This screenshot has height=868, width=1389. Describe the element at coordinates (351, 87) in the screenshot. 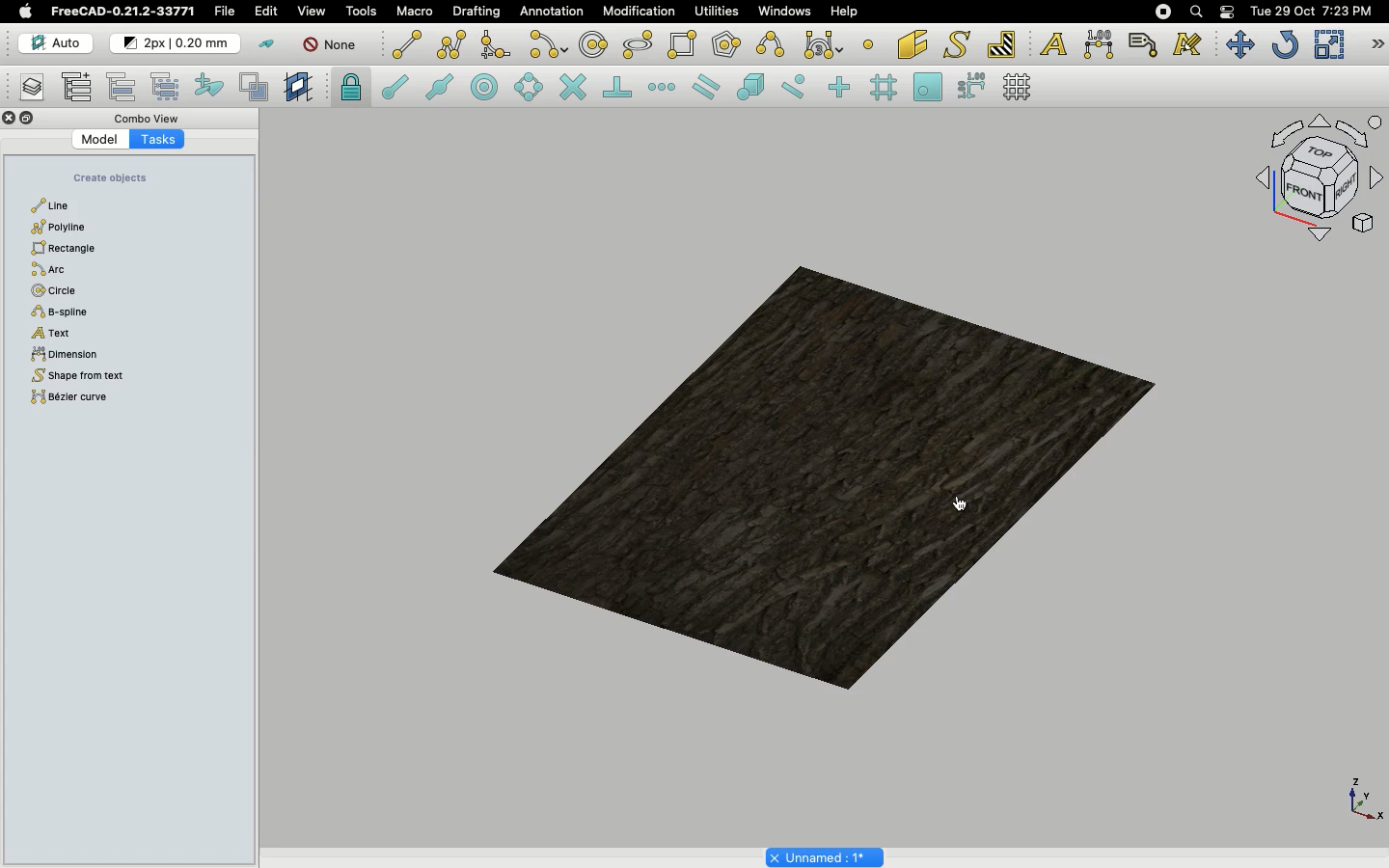

I see `Snap lock` at that location.